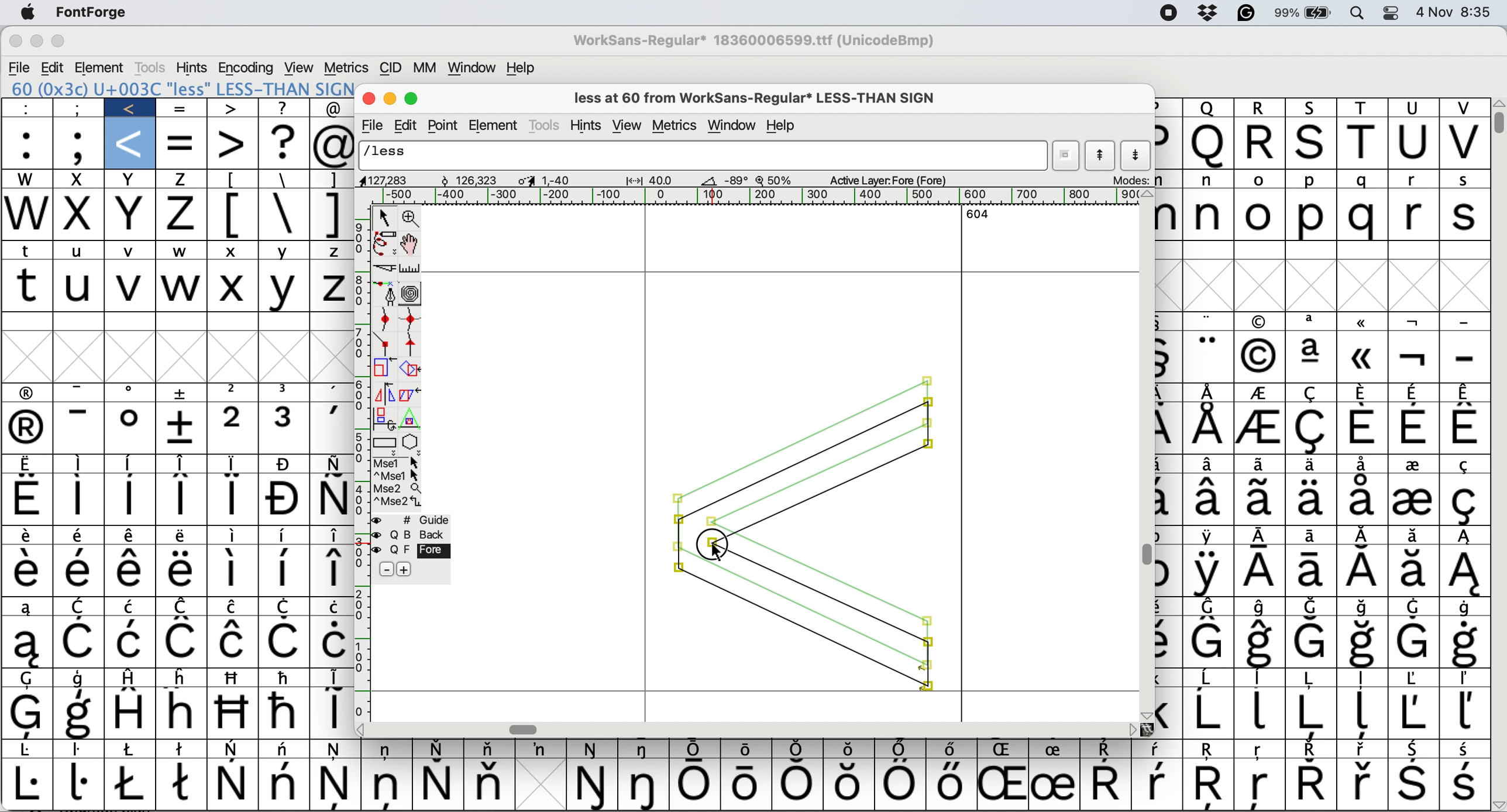 This screenshot has width=1507, height=812. Describe the element at coordinates (54, 67) in the screenshot. I see `edit` at that location.